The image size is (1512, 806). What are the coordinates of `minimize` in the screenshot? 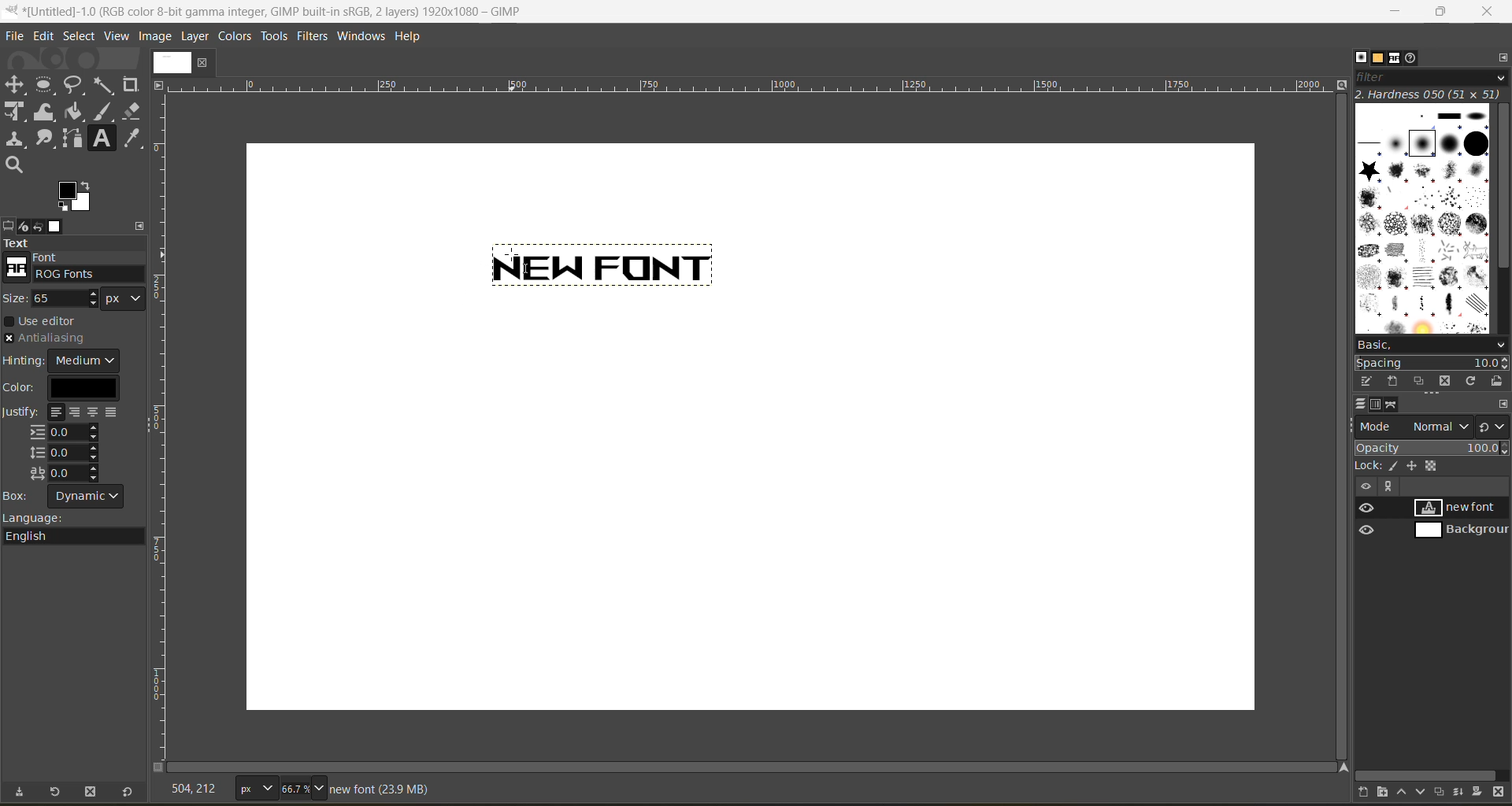 It's located at (1397, 12).